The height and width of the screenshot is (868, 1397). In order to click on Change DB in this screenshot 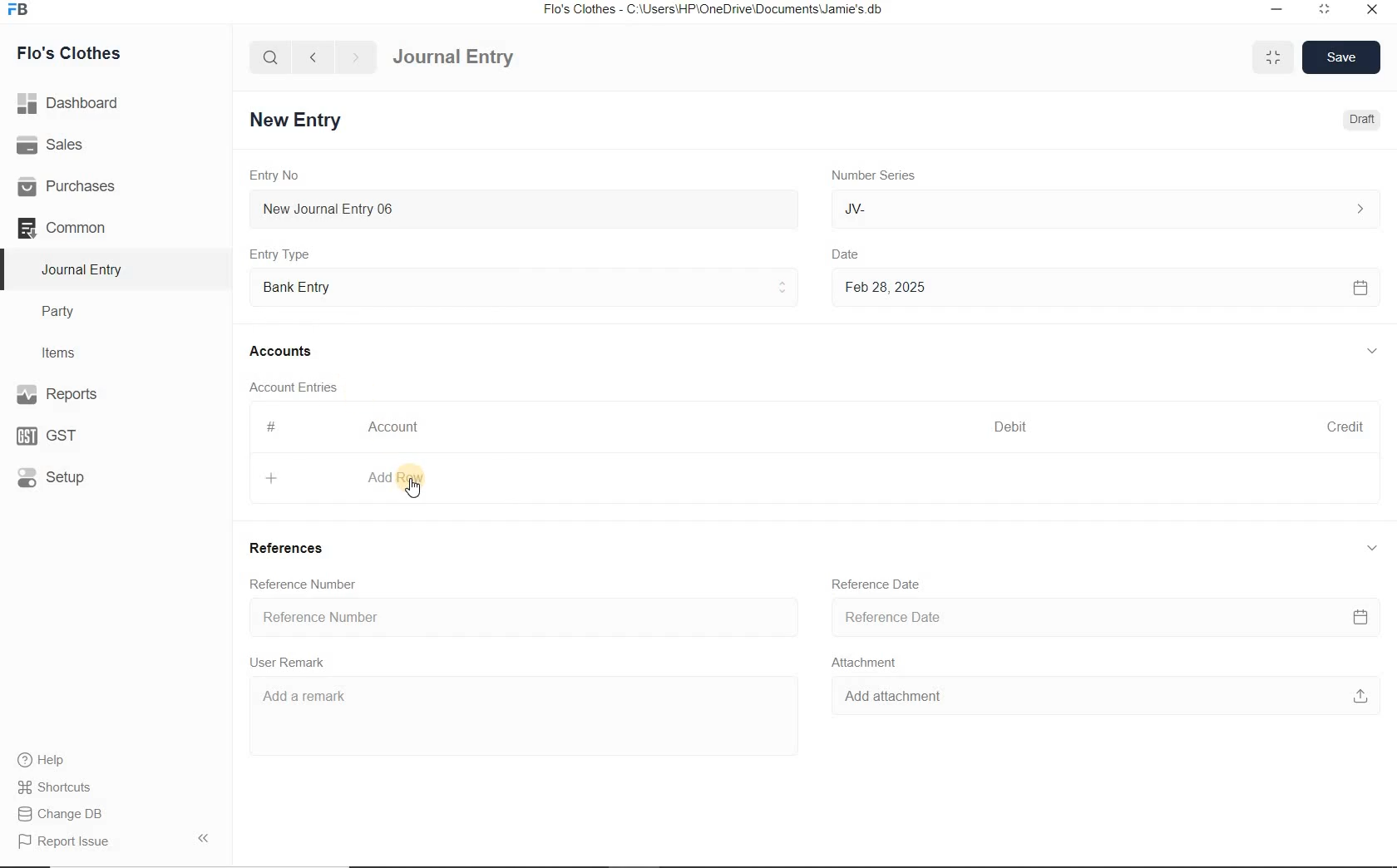, I will do `click(62, 812)`.